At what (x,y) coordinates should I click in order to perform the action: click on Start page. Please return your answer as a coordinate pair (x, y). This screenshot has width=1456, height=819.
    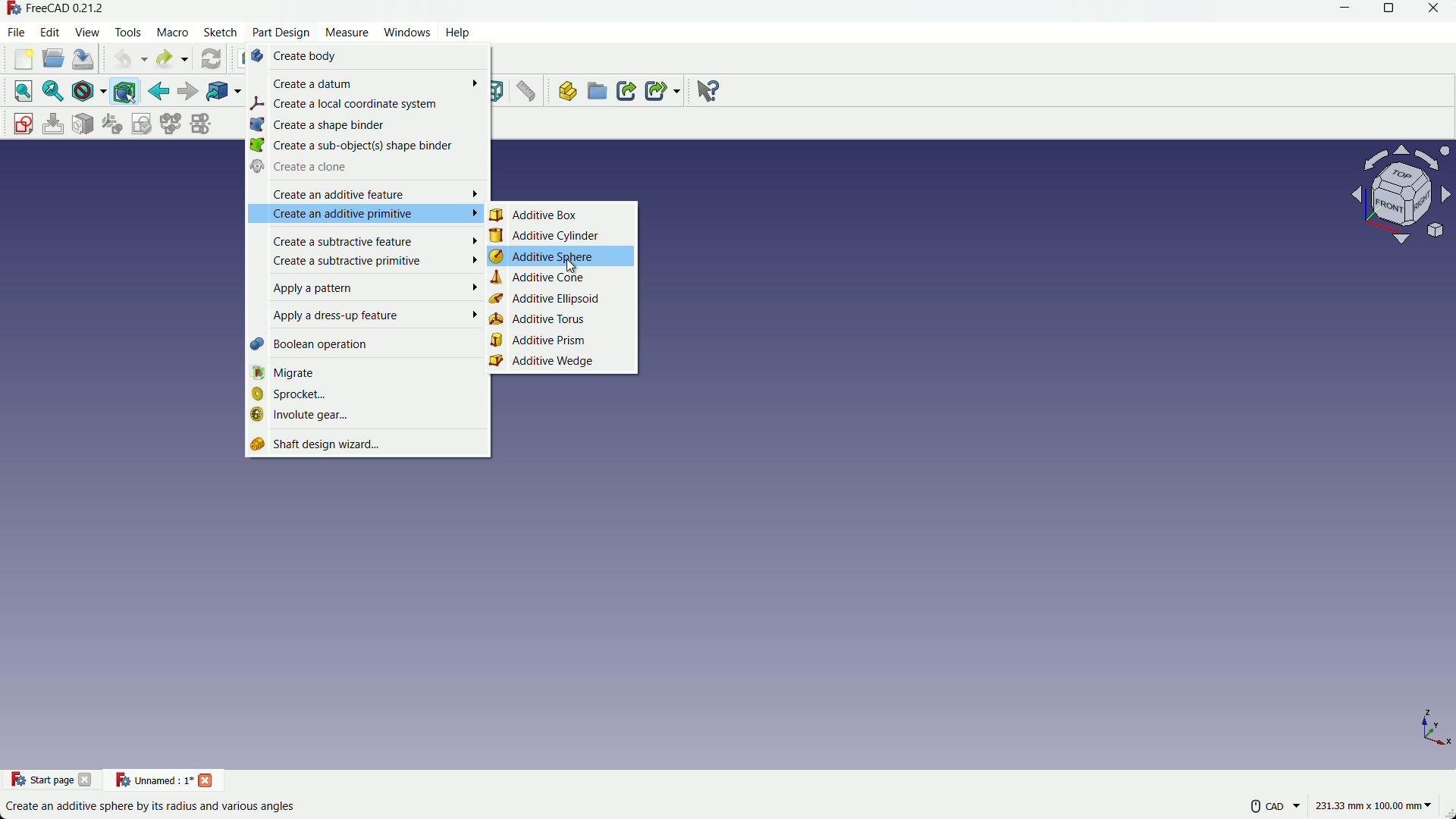
    Looking at the image, I should click on (42, 778).